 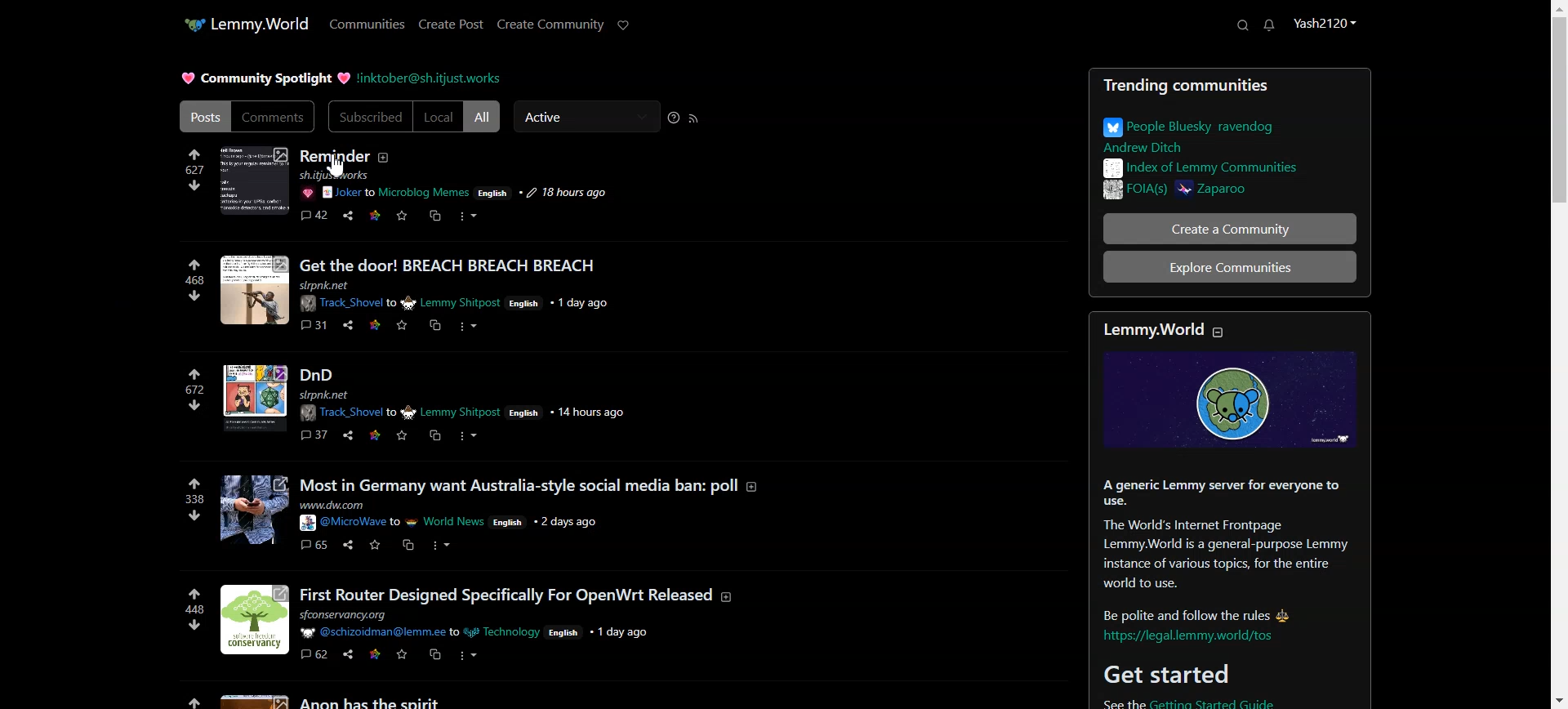 What do you see at coordinates (1218, 332) in the screenshot?
I see `Collapse` at bounding box center [1218, 332].